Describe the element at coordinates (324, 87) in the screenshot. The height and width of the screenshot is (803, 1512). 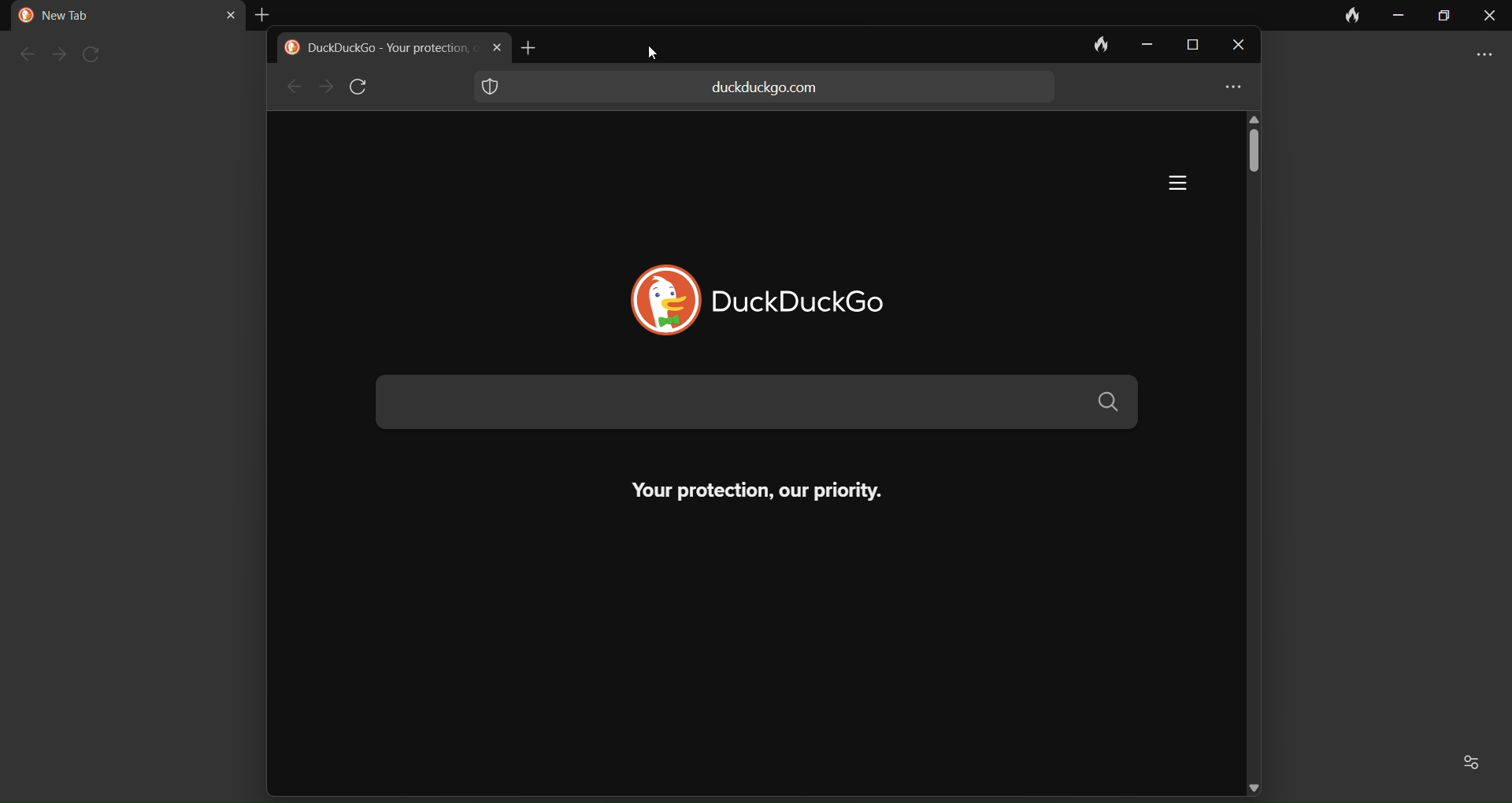
I see `next` at that location.